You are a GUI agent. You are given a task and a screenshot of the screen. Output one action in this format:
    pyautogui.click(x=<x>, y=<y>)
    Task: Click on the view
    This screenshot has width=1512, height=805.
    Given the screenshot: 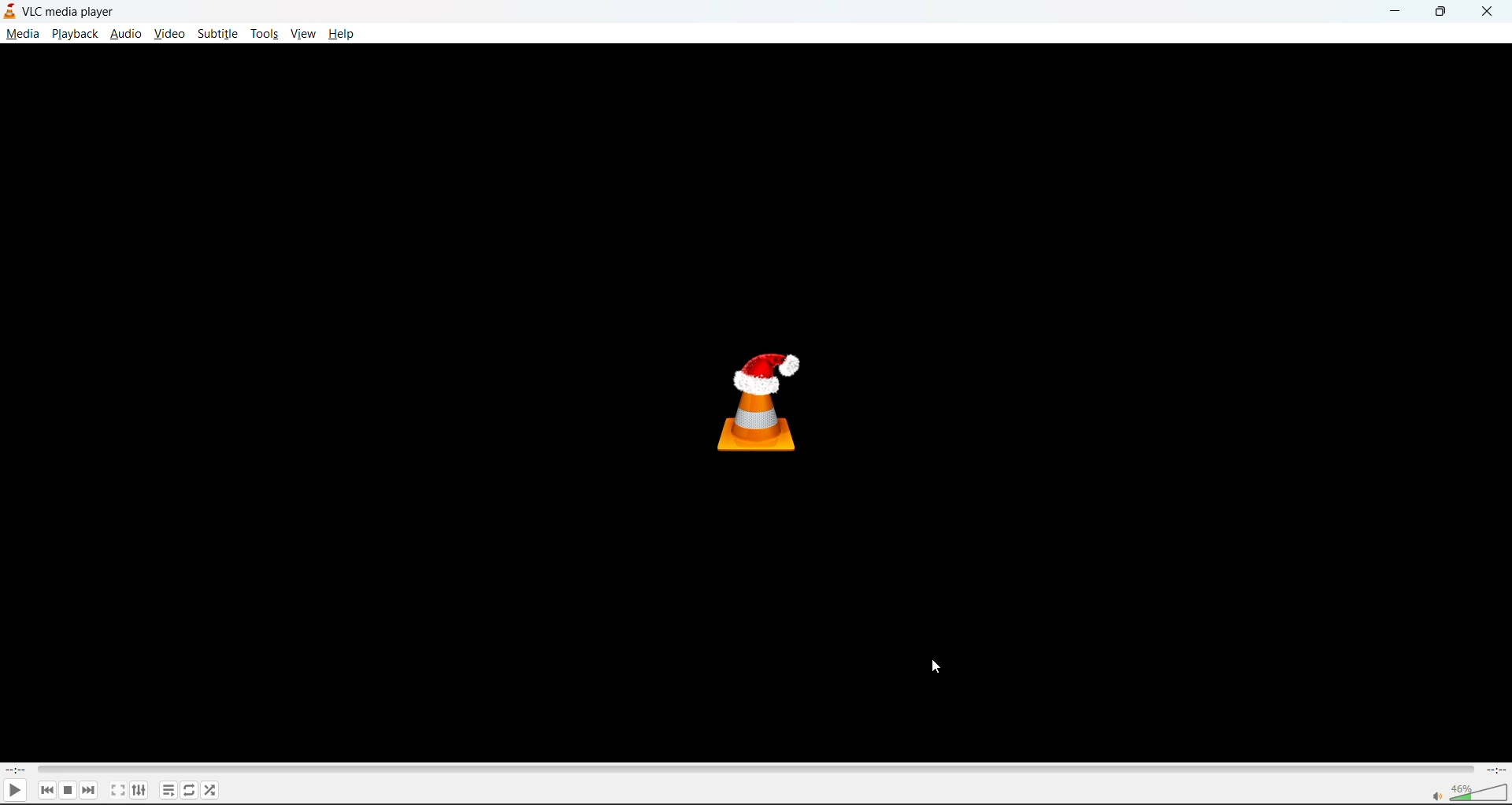 What is the action you would take?
    pyautogui.click(x=303, y=34)
    